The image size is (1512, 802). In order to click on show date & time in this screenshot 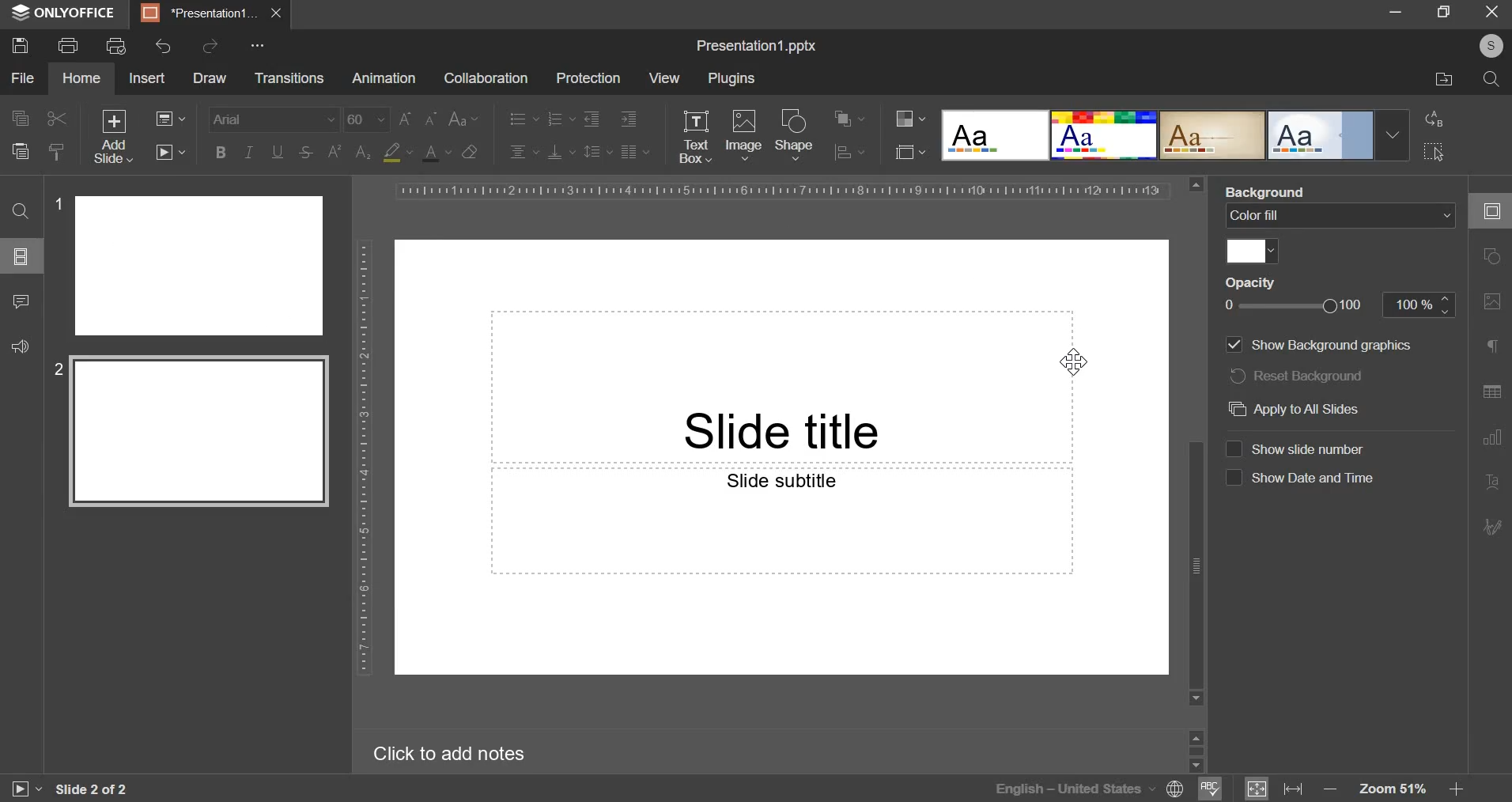, I will do `click(1302, 477)`.